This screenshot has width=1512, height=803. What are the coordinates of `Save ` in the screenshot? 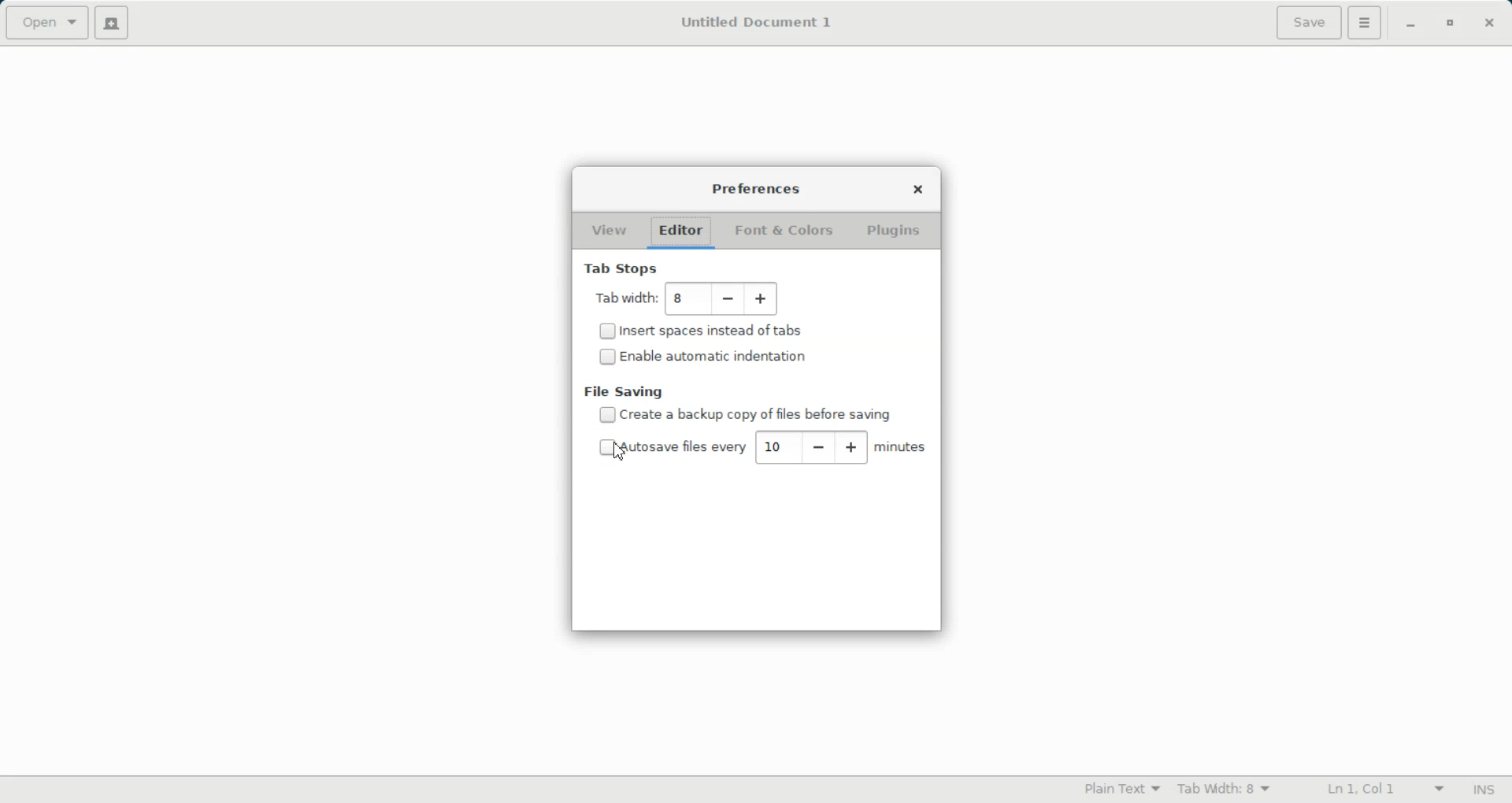 It's located at (1309, 23).